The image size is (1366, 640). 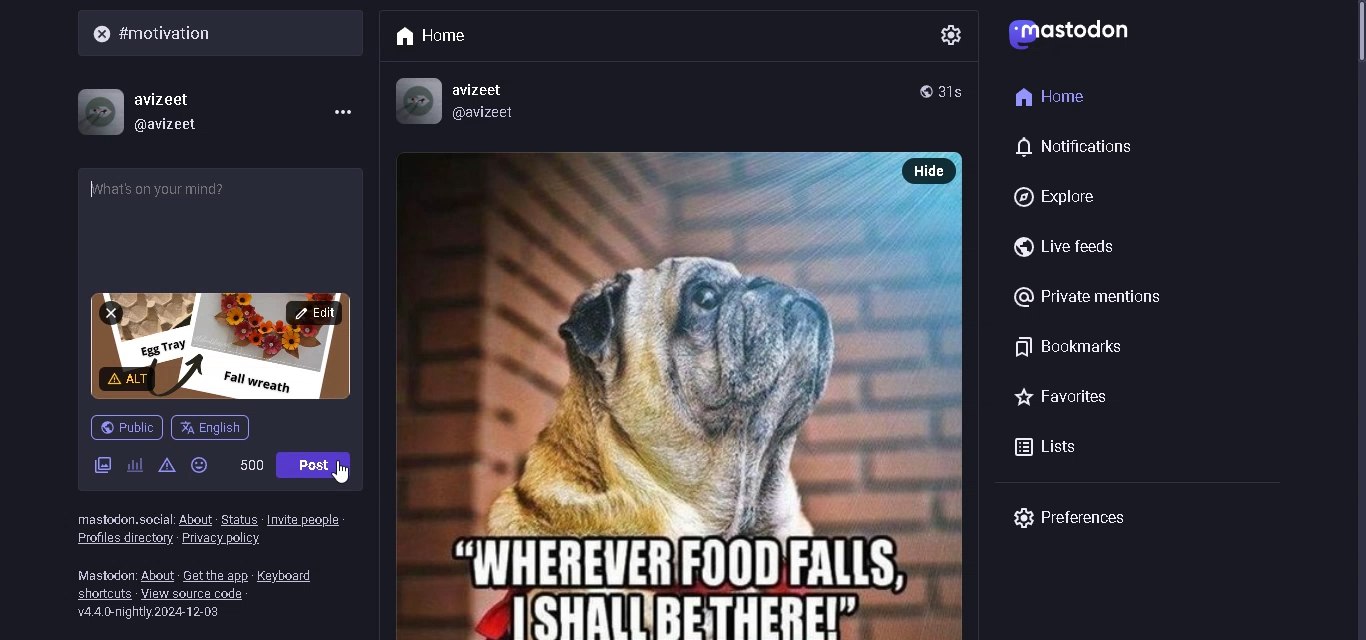 I want to click on Hide, so click(x=934, y=170).